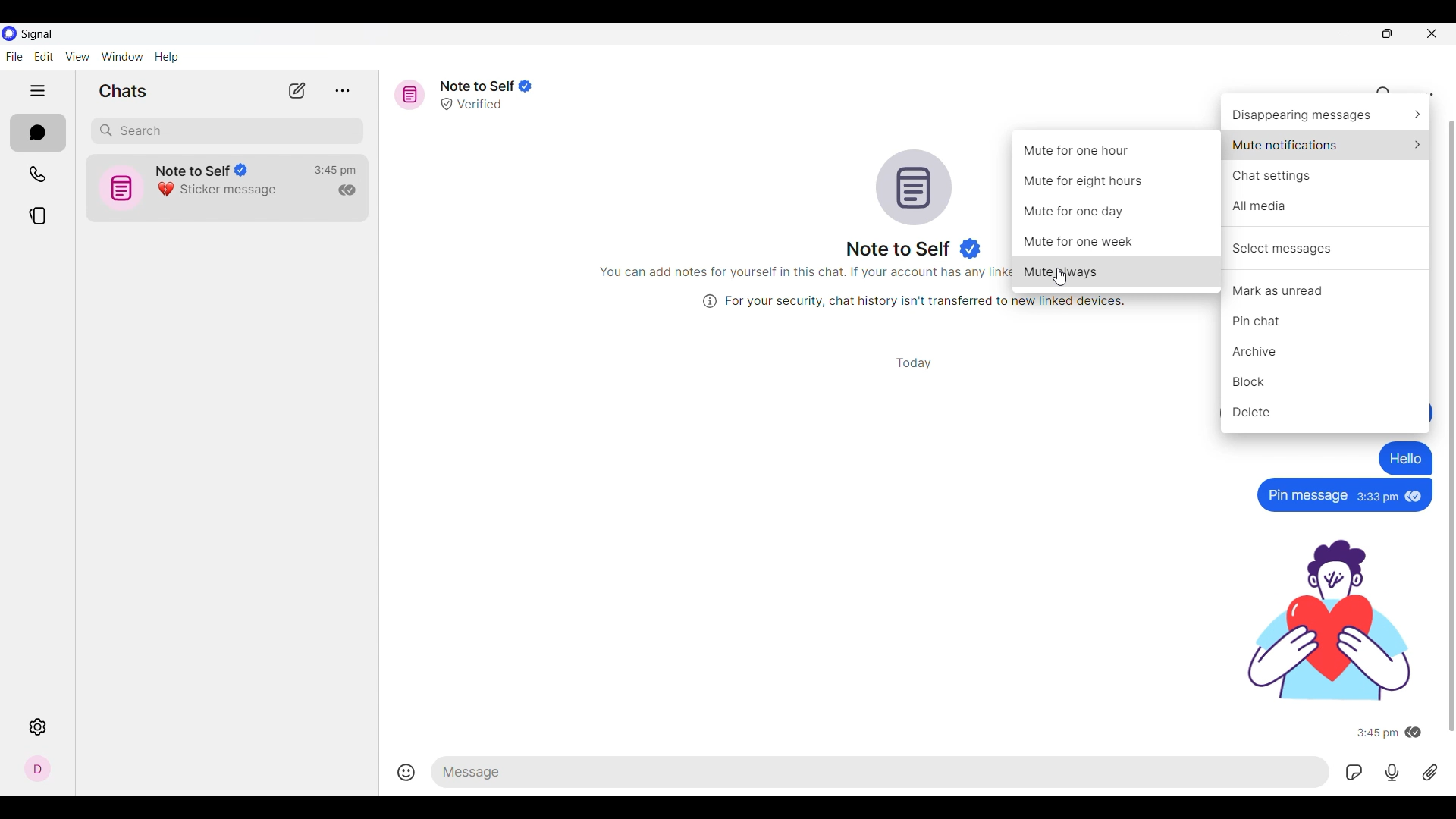  I want to click on Show/Hide left side pane, so click(37, 90).